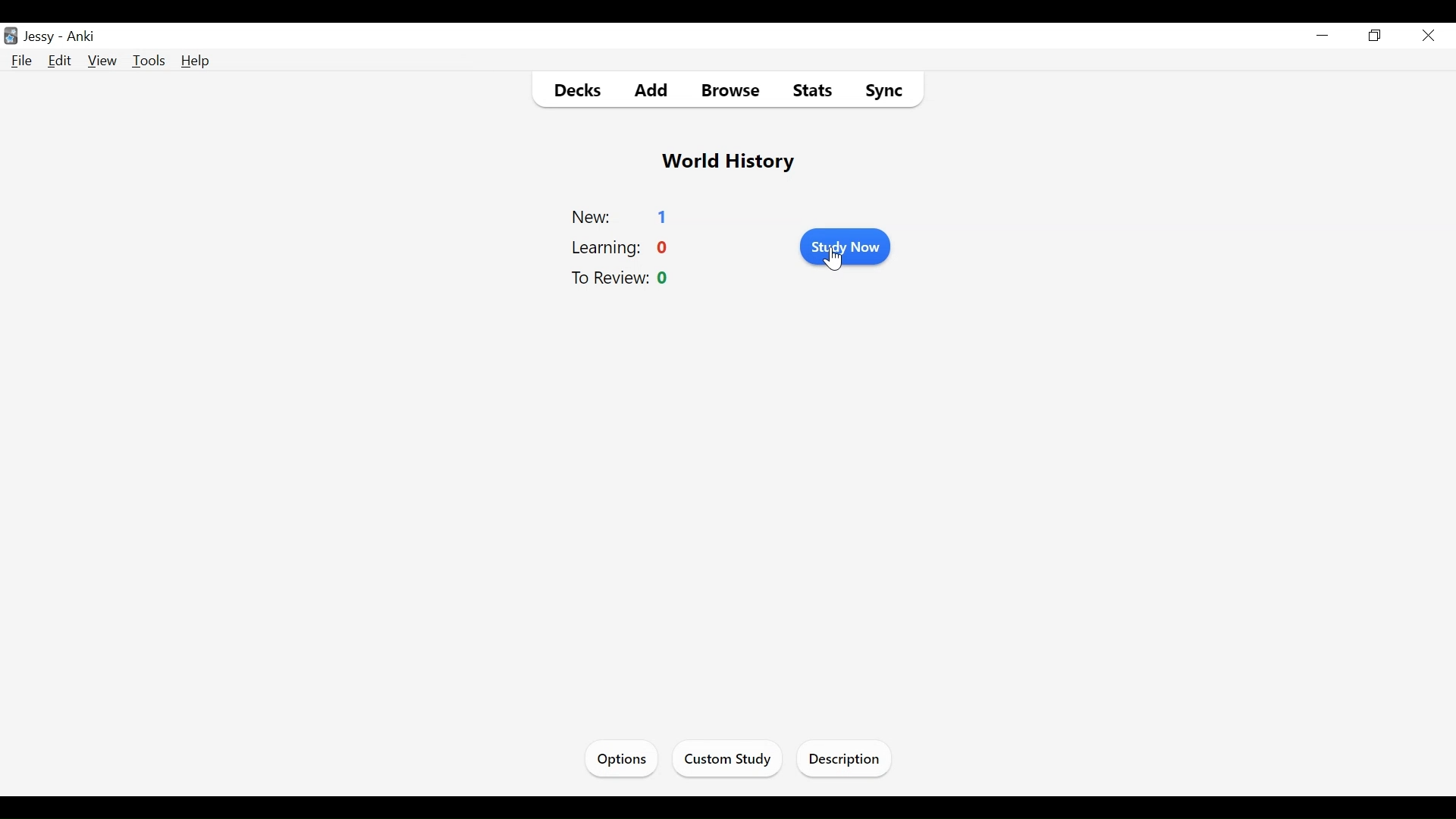  What do you see at coordinates (1323, 36) in the screenshot?
I see `minimize` at bounding box center [1323, 36].